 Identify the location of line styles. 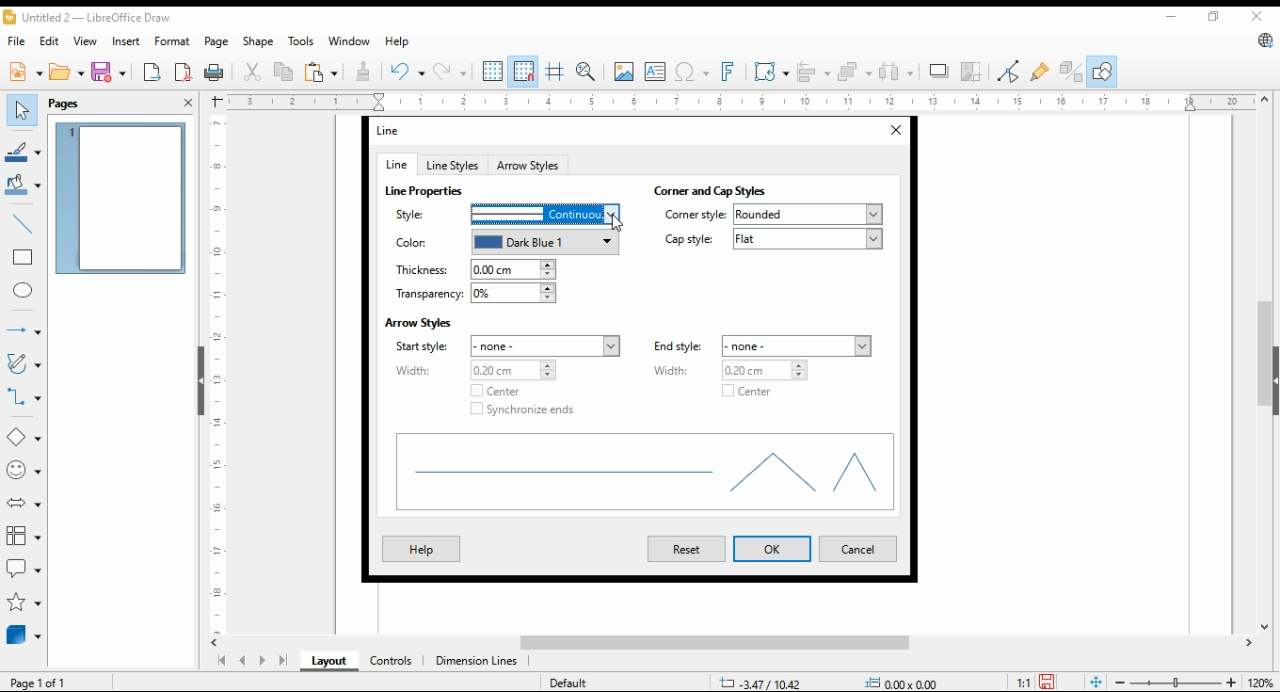
(451, 165).